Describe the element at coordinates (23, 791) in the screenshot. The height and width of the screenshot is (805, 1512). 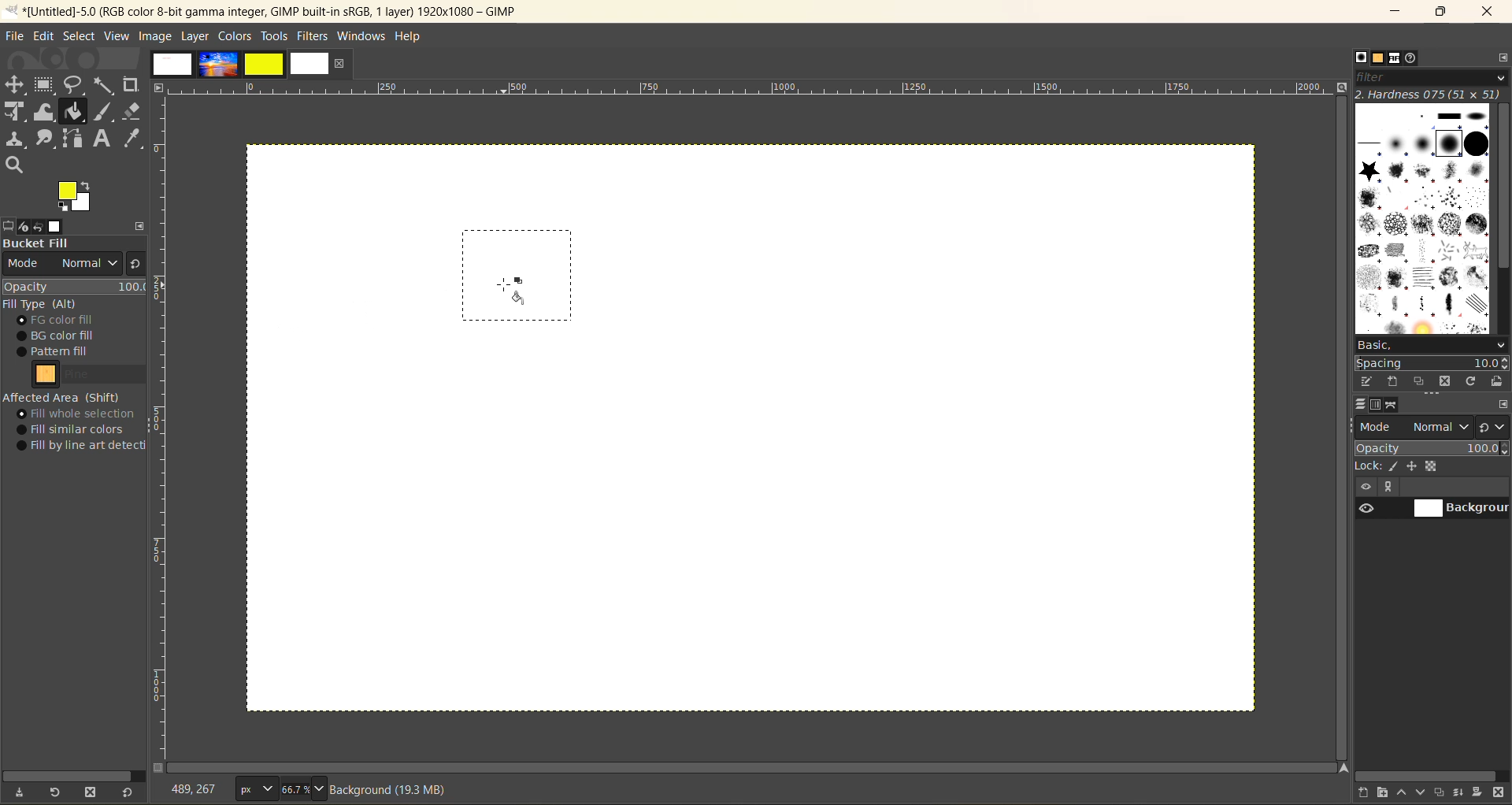
I see `save tool preset` at that location.